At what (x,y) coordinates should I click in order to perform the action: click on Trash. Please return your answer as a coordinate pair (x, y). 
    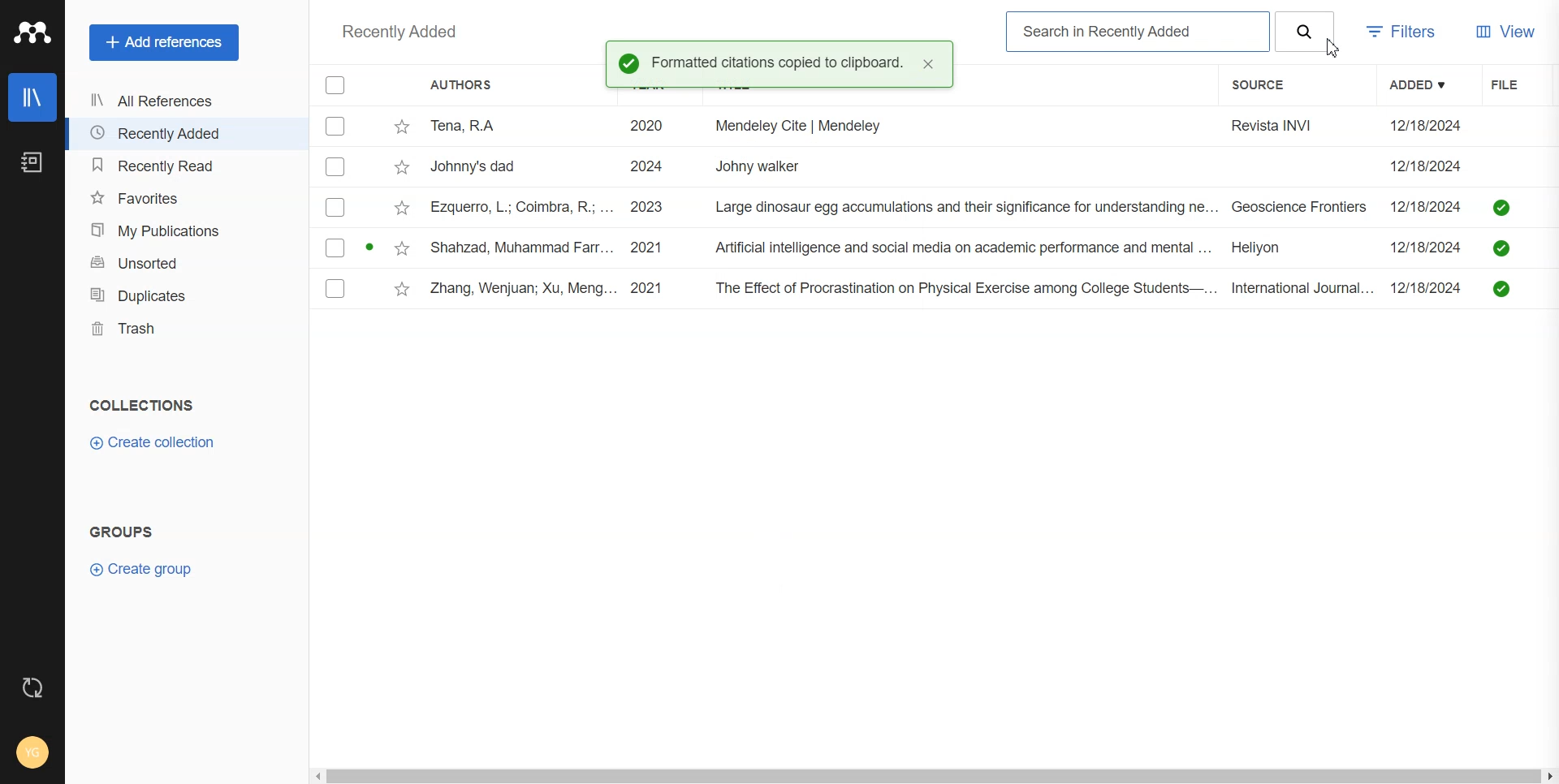
    Looking at the image, I should click on (188, 328).